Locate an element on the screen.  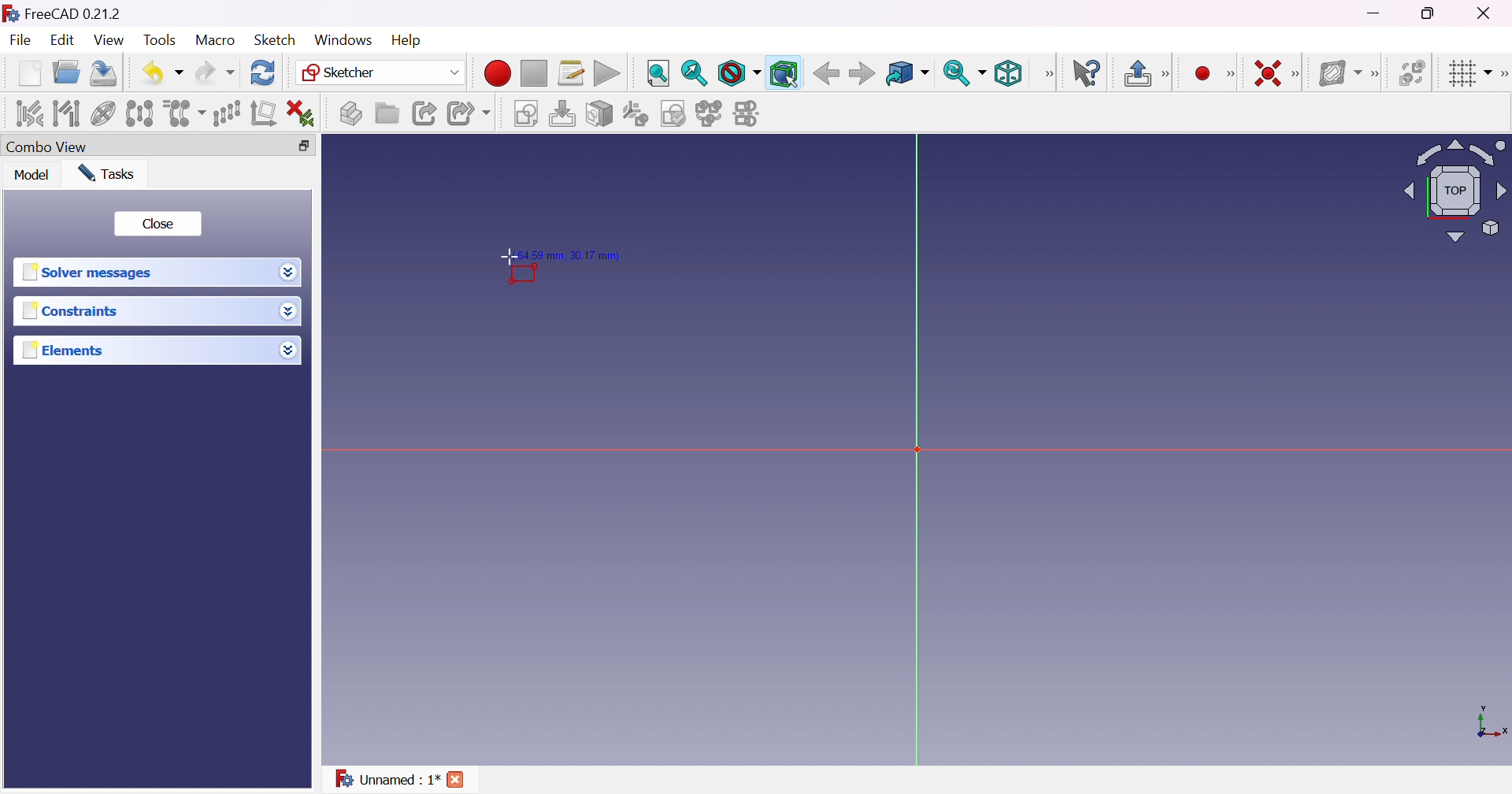
Mirror sketch... is located at coordinates (748, 113).